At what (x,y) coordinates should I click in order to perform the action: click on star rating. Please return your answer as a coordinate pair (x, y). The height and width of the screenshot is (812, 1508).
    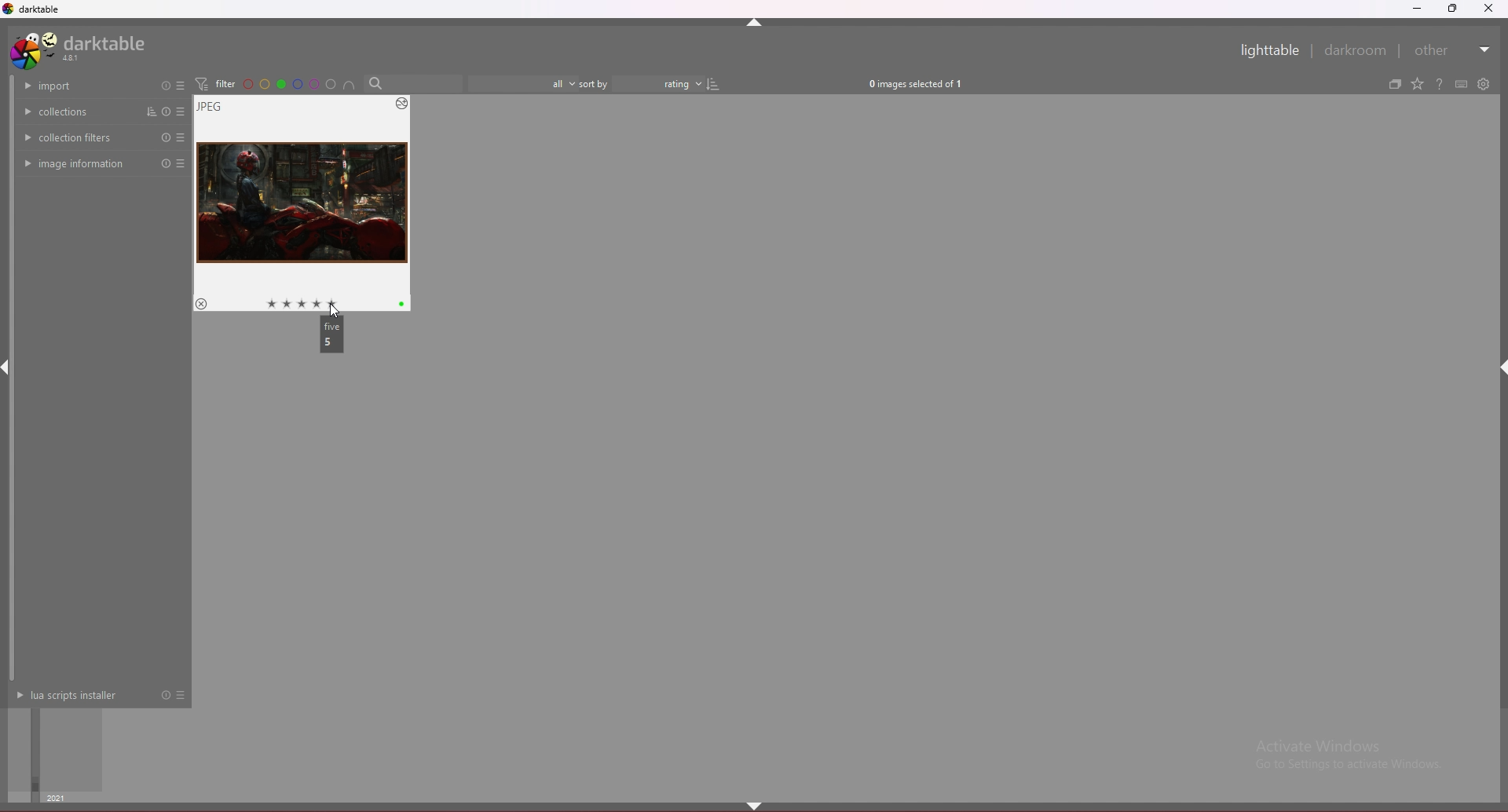
    Looking at the image, I should click on (301, 303).